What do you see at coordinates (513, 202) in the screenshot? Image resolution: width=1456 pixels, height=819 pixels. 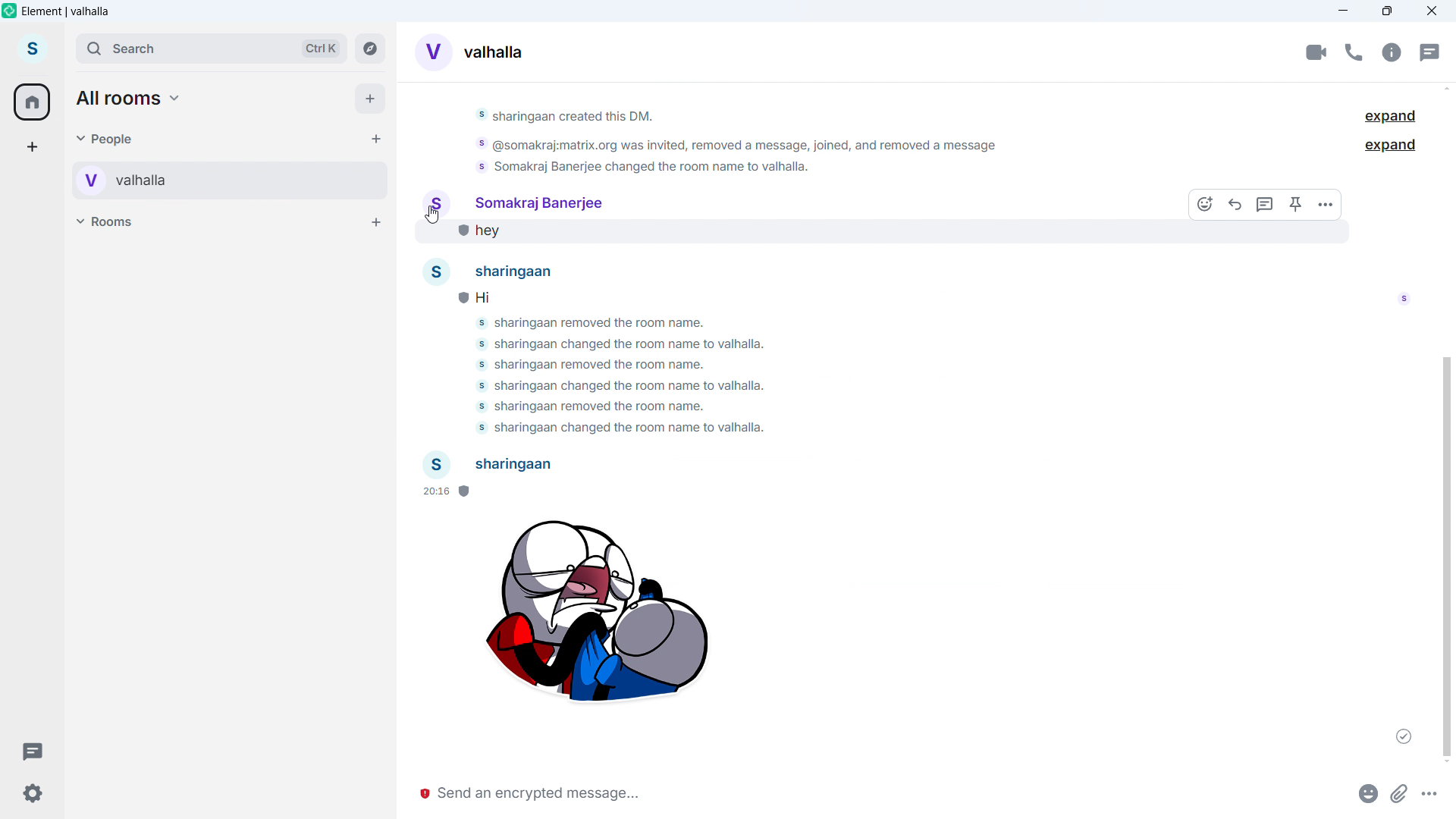 I see `Somakraj banerjee` at bounding box center [513, 202].